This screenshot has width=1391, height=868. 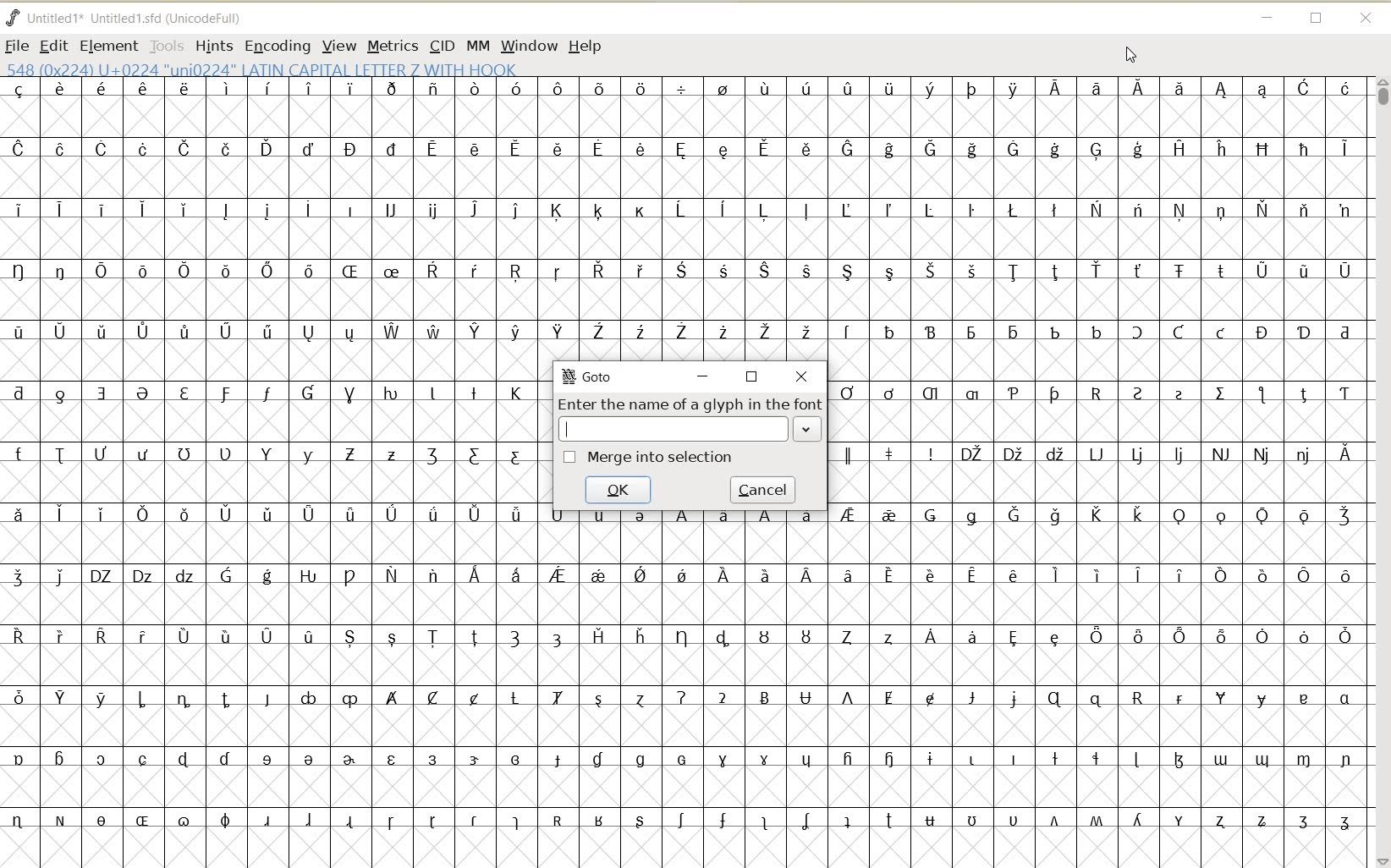 I want to click on Enter the name of a glyph in the font, so click(x=691, y=406).